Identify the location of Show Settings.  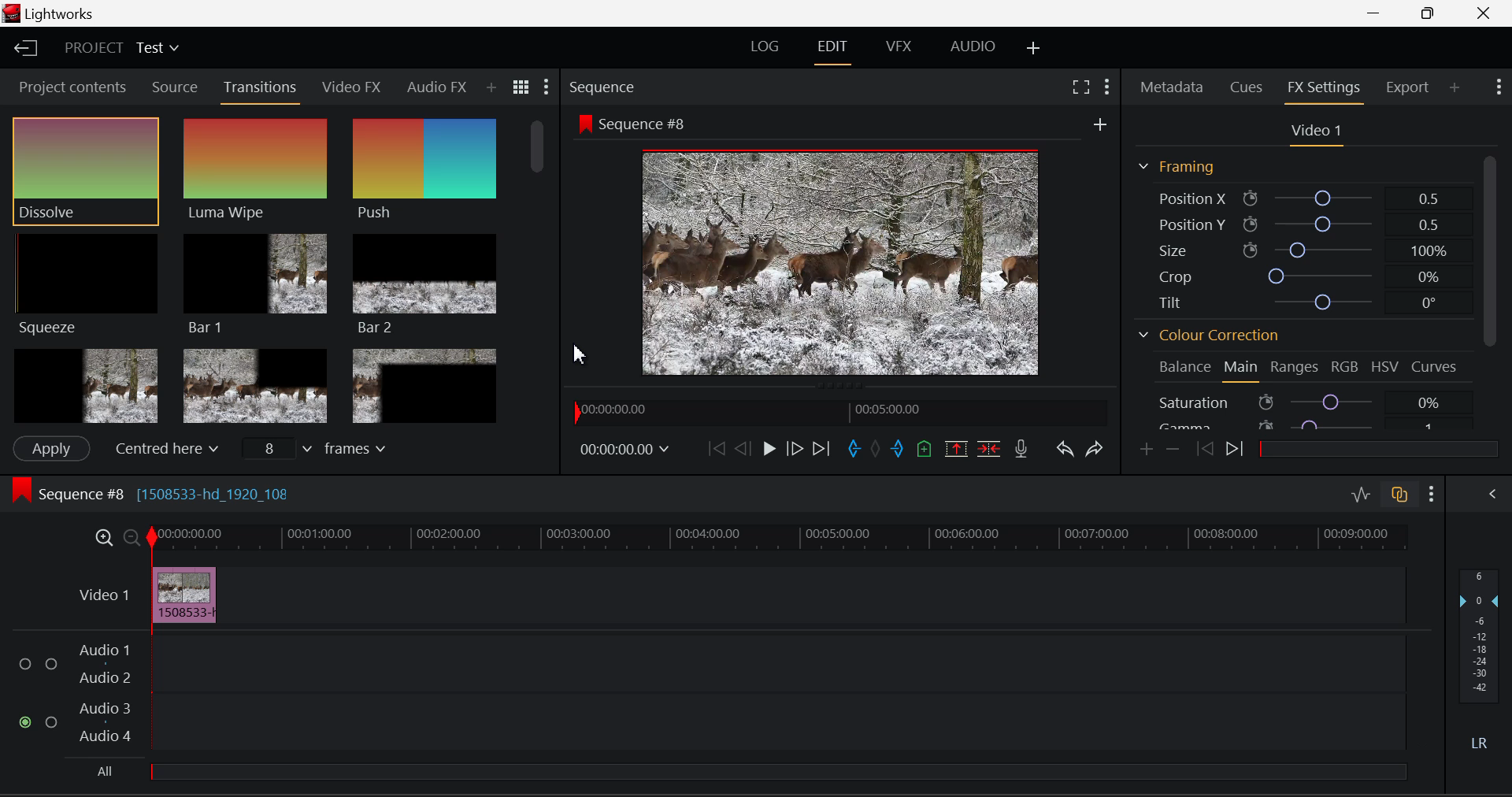
(1499, 85).